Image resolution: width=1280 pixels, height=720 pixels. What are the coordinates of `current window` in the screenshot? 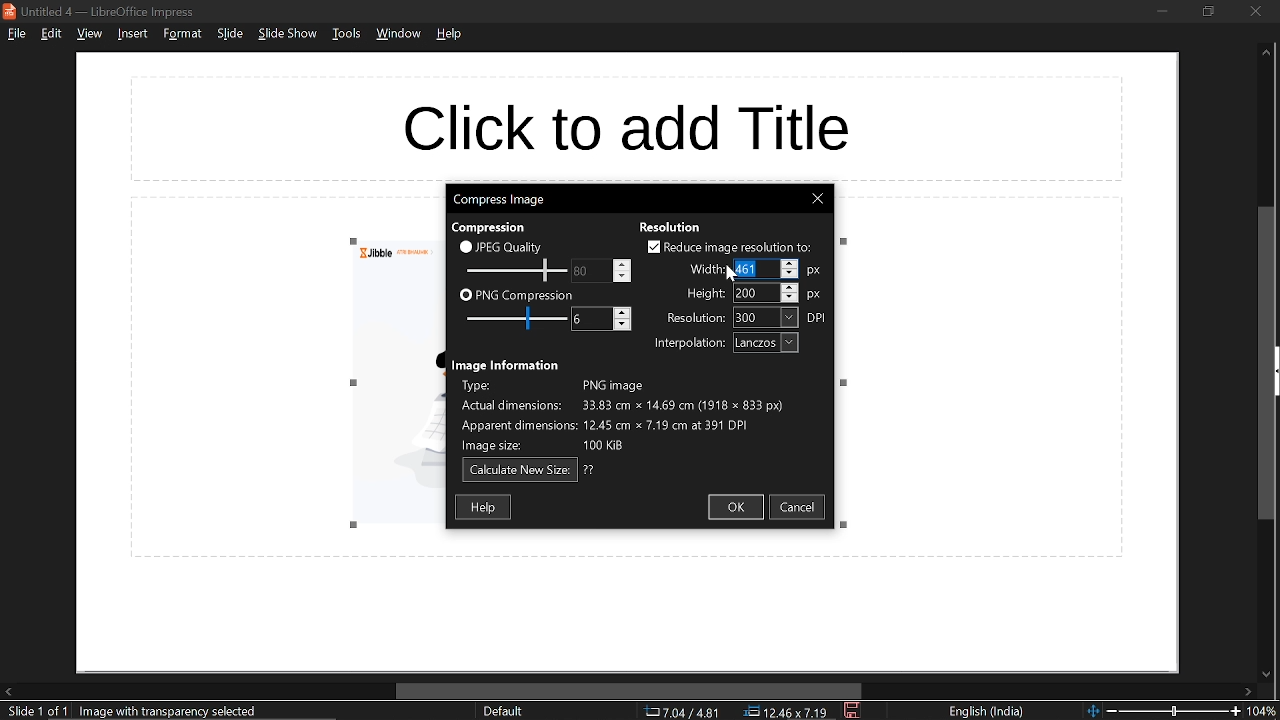 It's located at (500, 200).